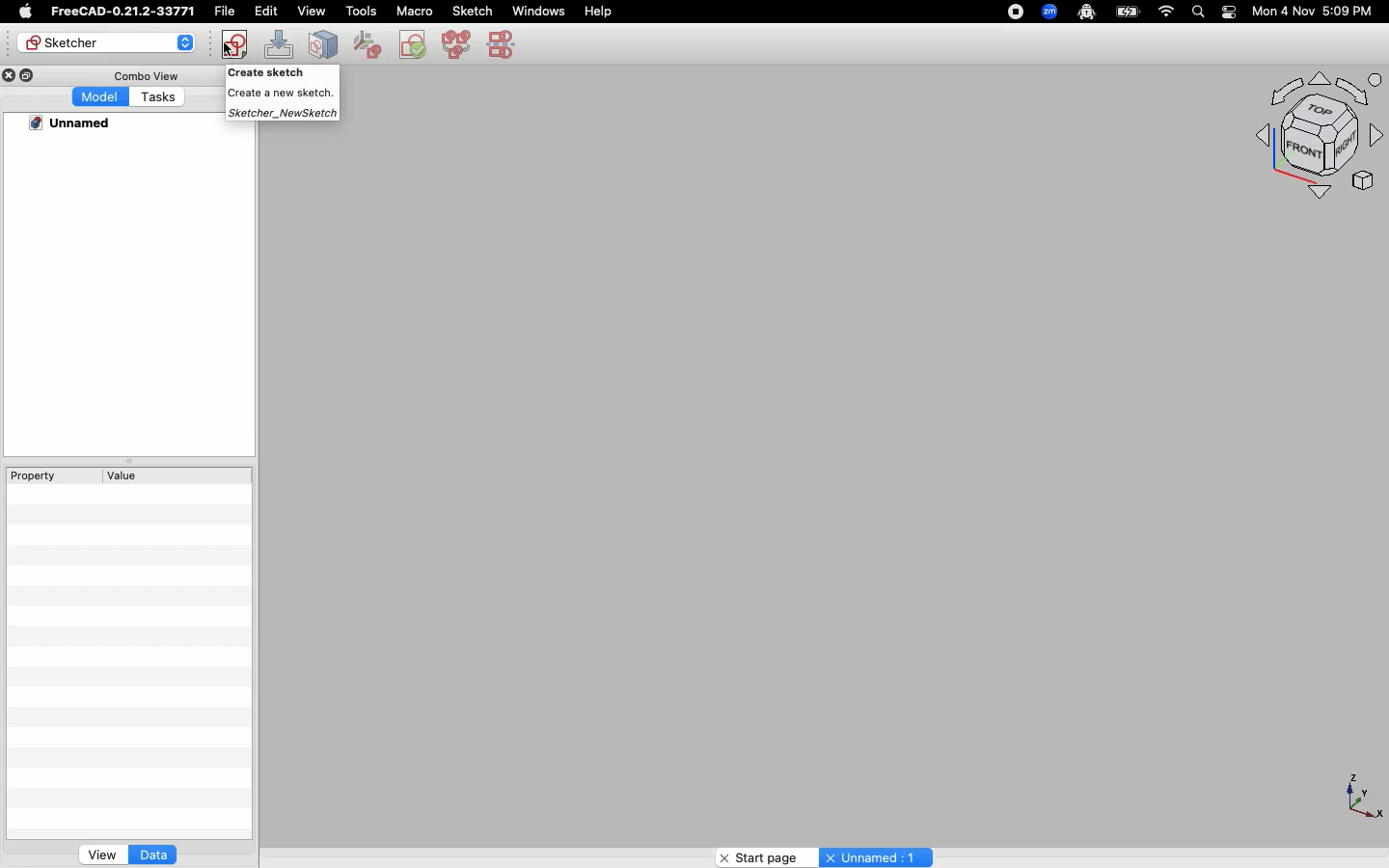 The height and width of the screenshot is (868, 1389). I want to click on Mon 4 Nov 5:09 PM, so click(1315, 12).